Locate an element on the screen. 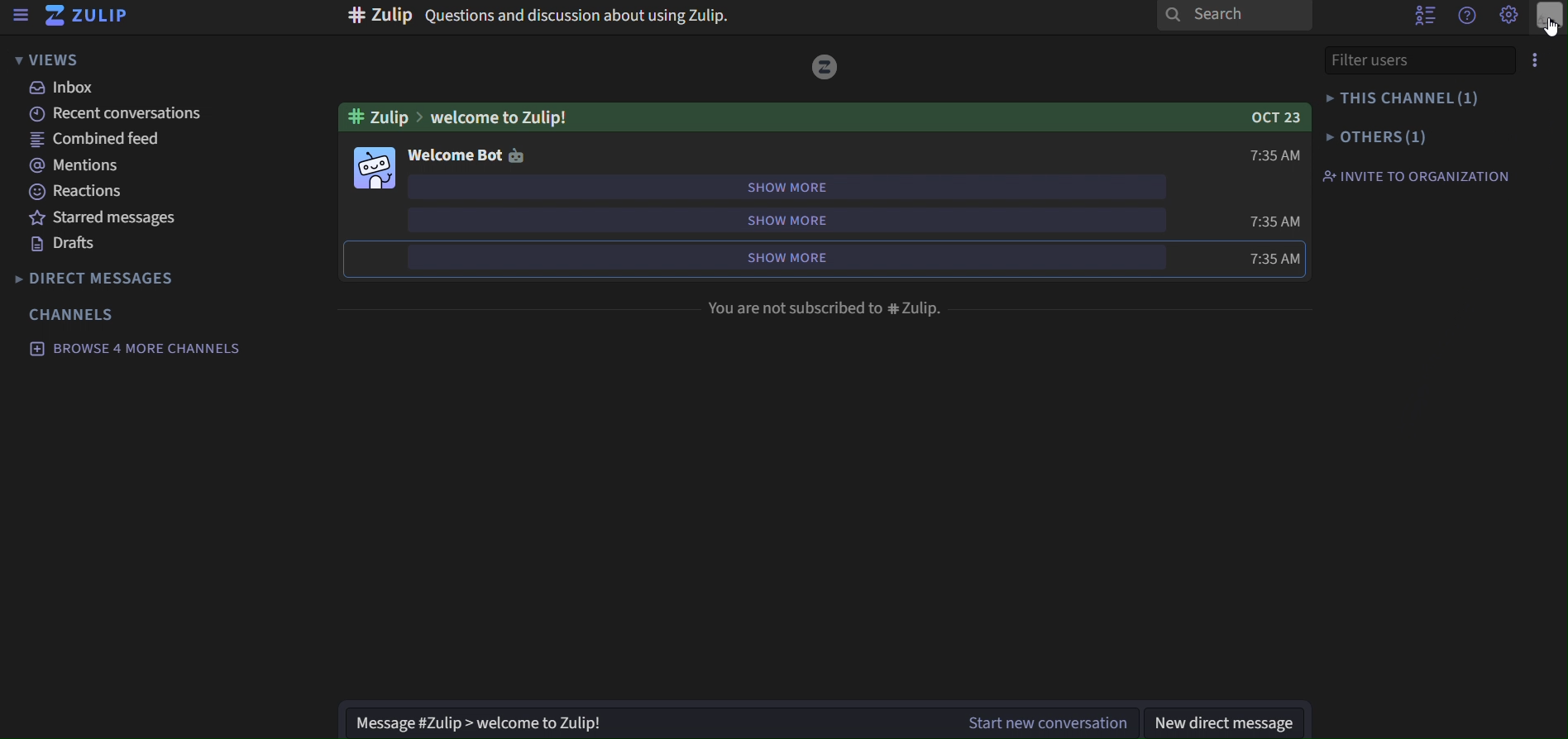  #zulip > is located at coordinates (380, 116).